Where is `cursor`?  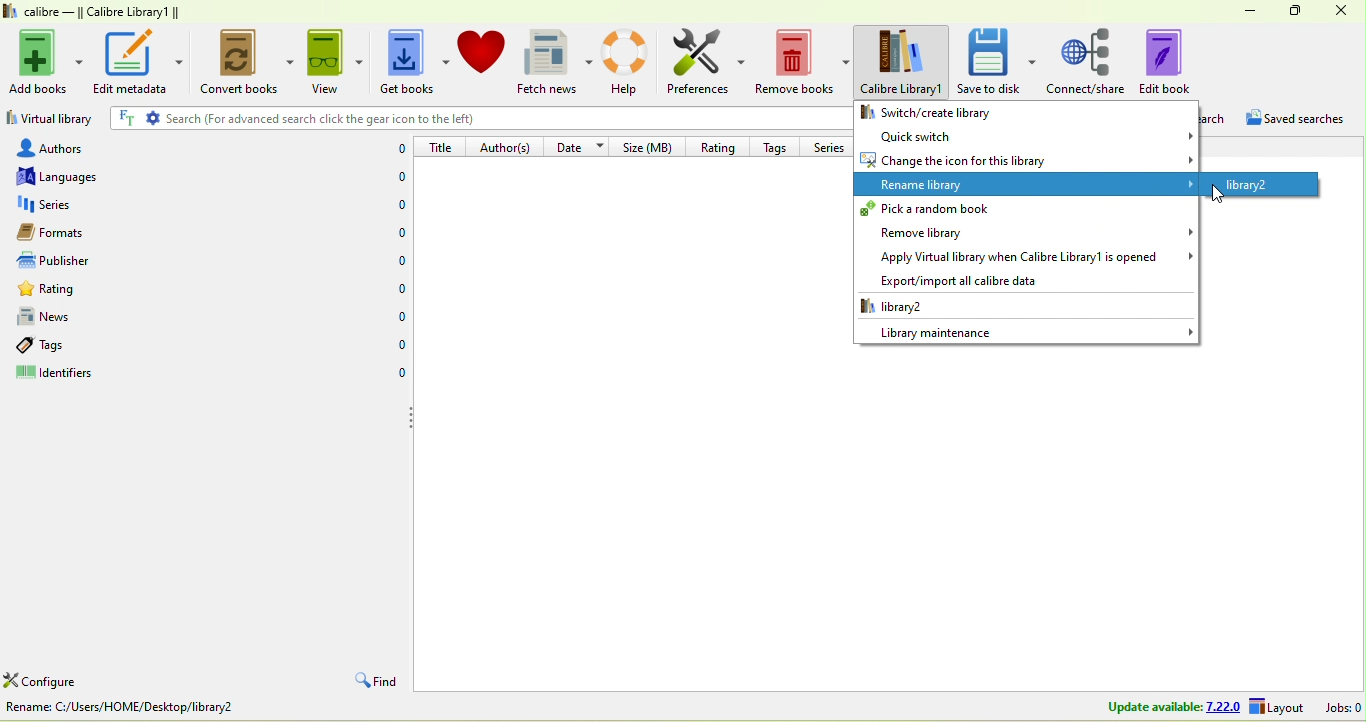
cursor is located at coordinates (1214, 195).